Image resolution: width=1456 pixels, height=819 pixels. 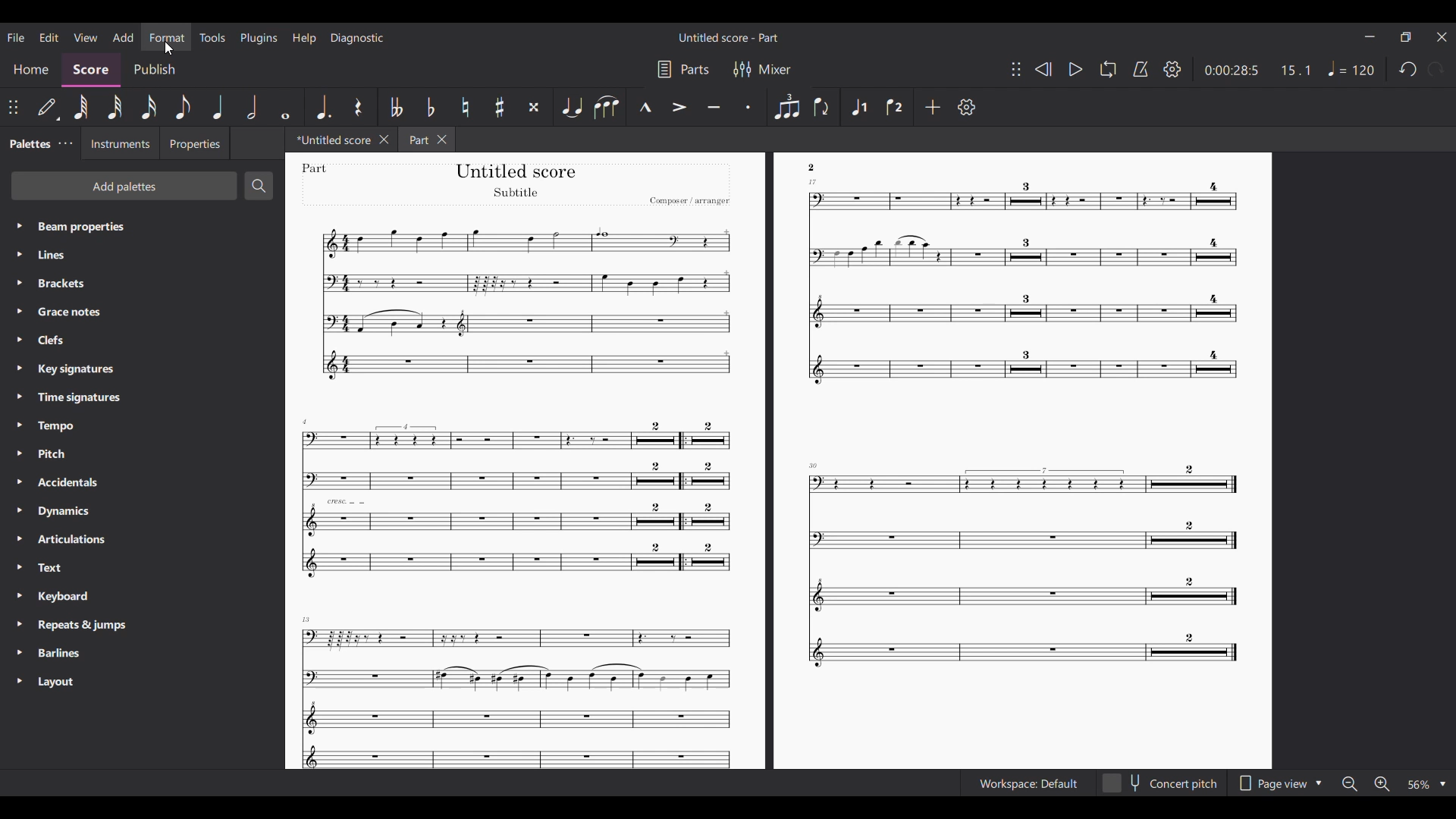 What do you see at coordinates (519, 194) in the screenshot?
I see `` at bounding box center [519, 194].